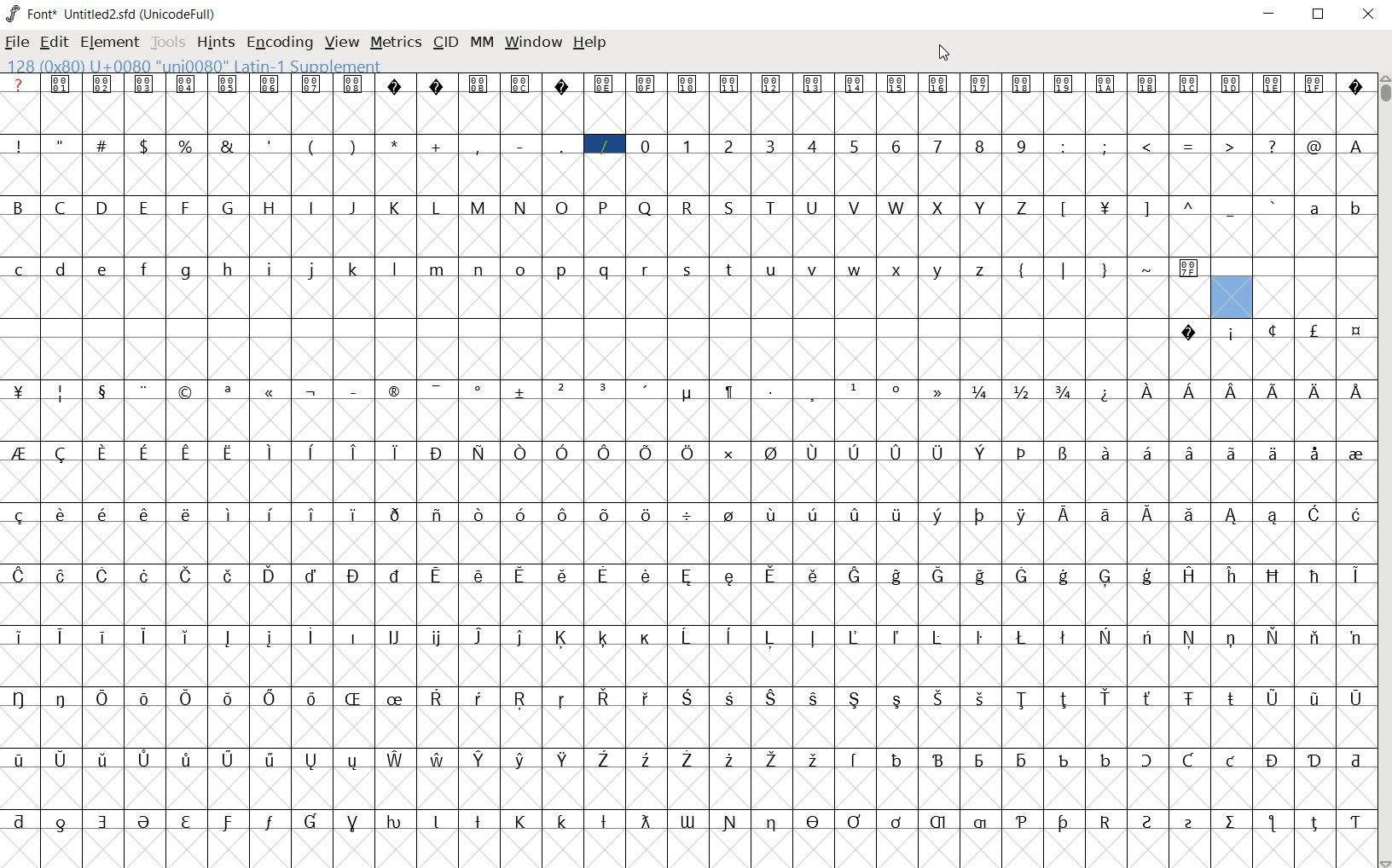  What do you see at coordinates (145, 760) in the screenshot?
I see `glyph` at bounding box center [145, 760].